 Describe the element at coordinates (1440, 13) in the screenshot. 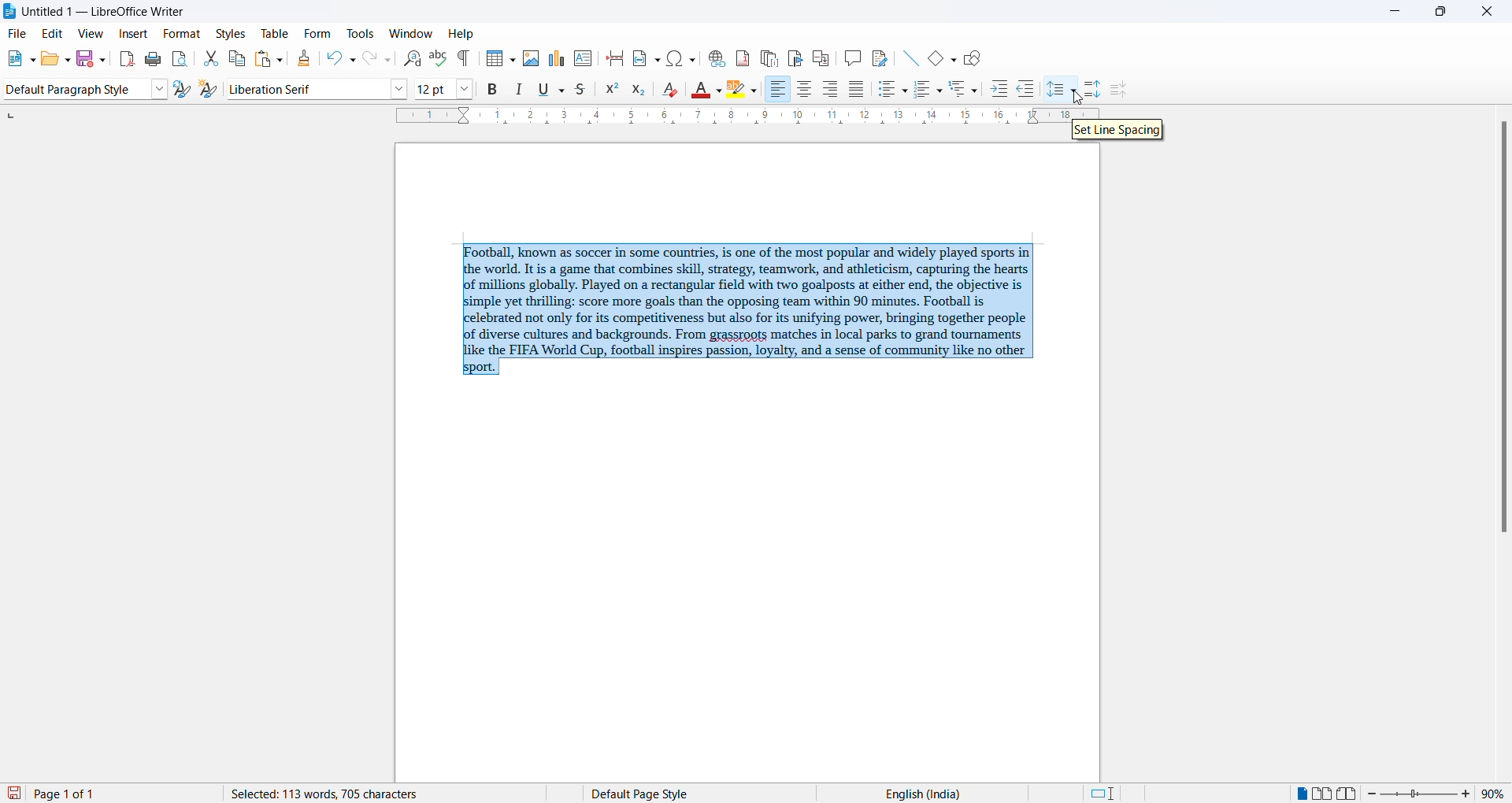

I see `maximize` at that location.